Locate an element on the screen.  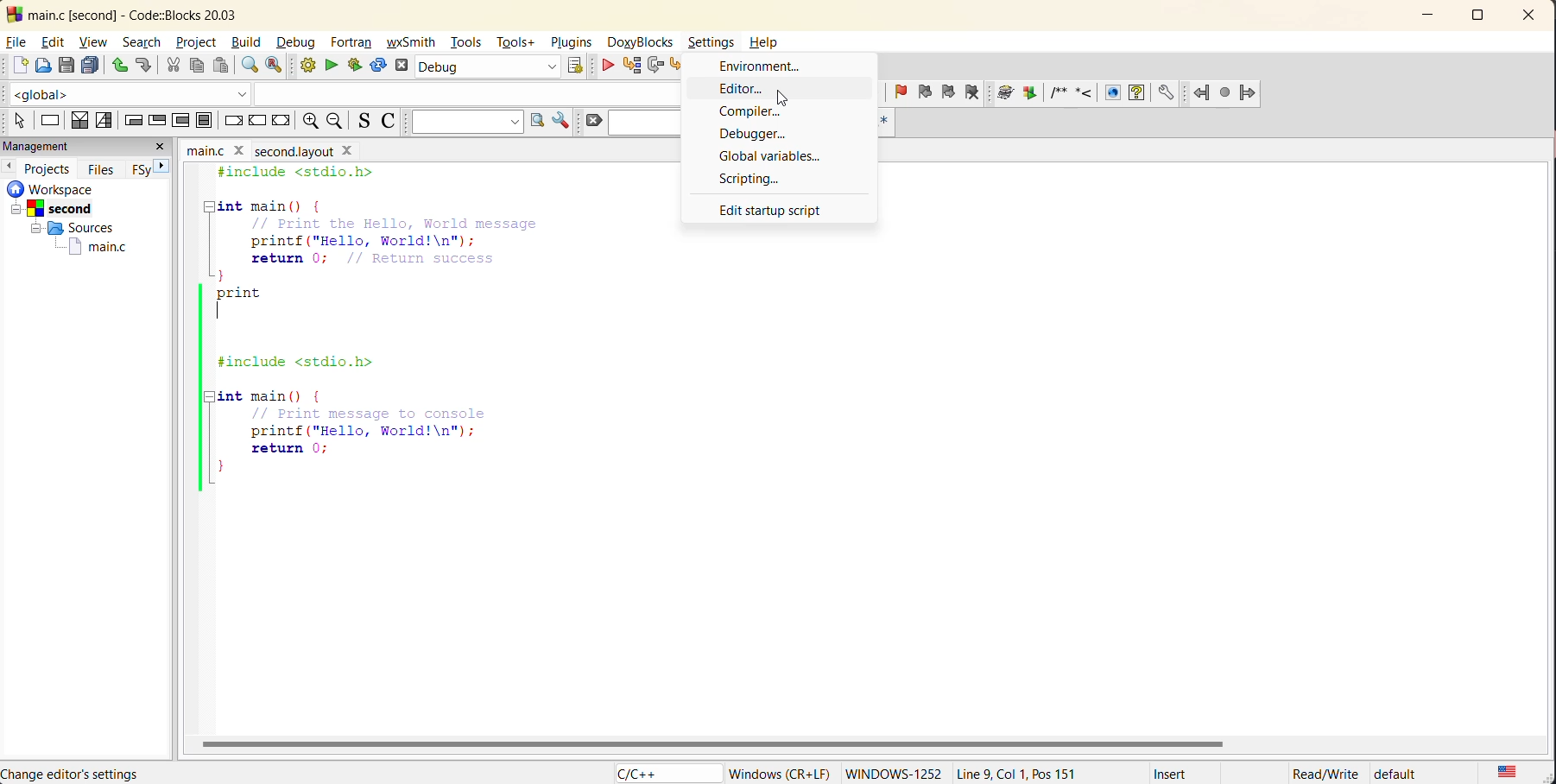
debugger is located at coordinates (760, 134).